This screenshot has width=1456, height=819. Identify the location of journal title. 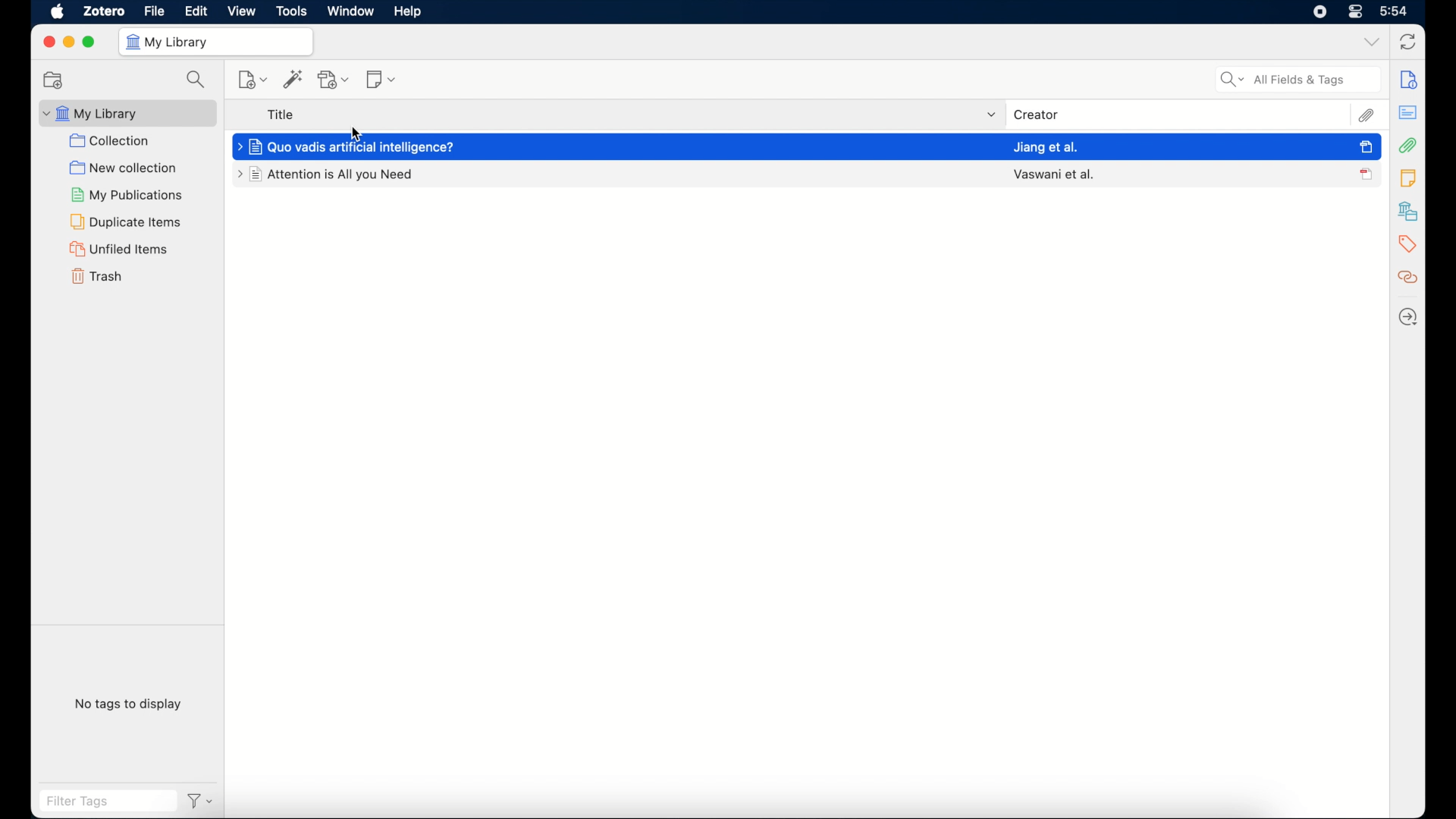
(351, 146).